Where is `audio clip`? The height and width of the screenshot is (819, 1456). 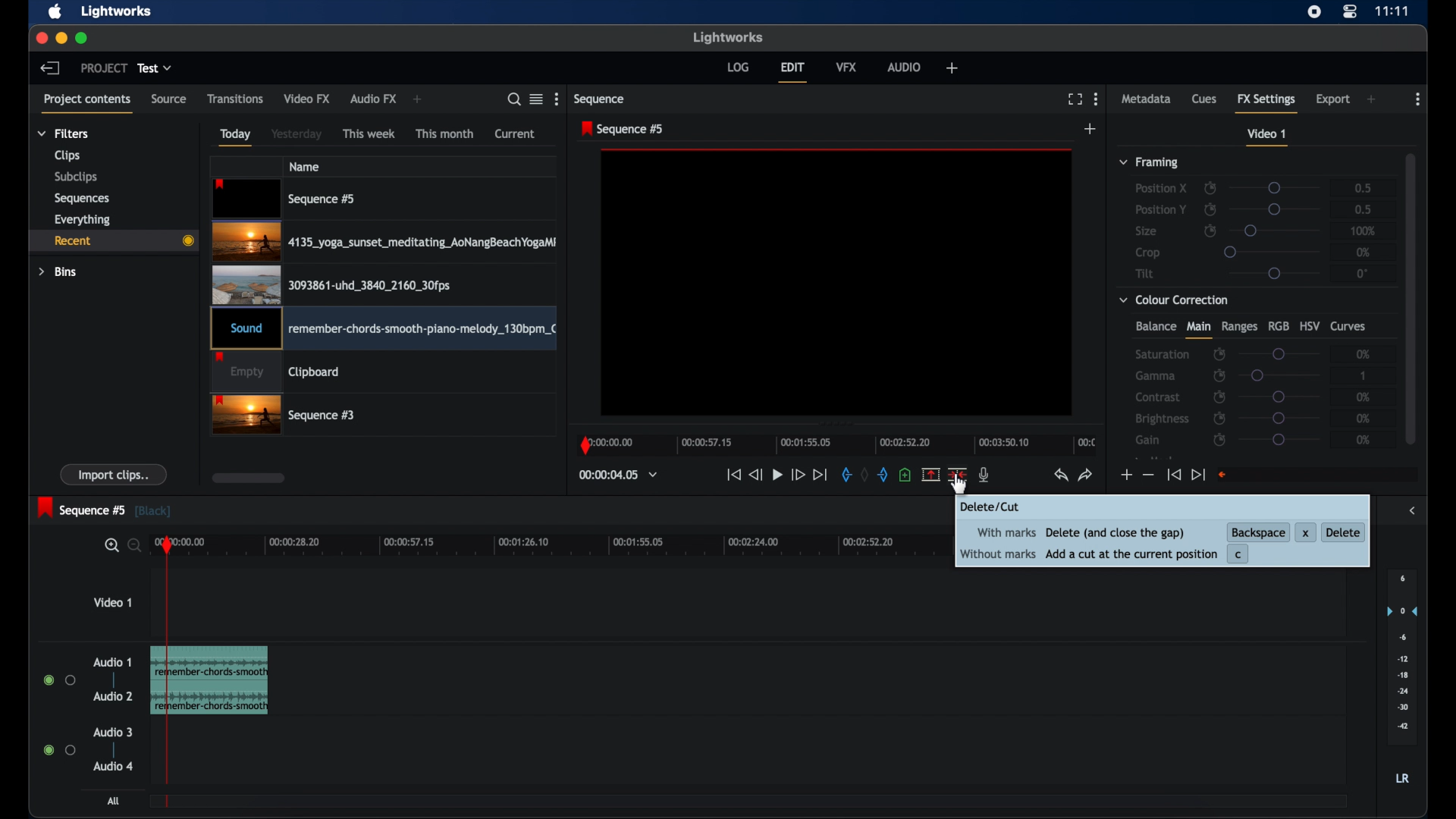
audio clip is located at coordinates (383, 330).